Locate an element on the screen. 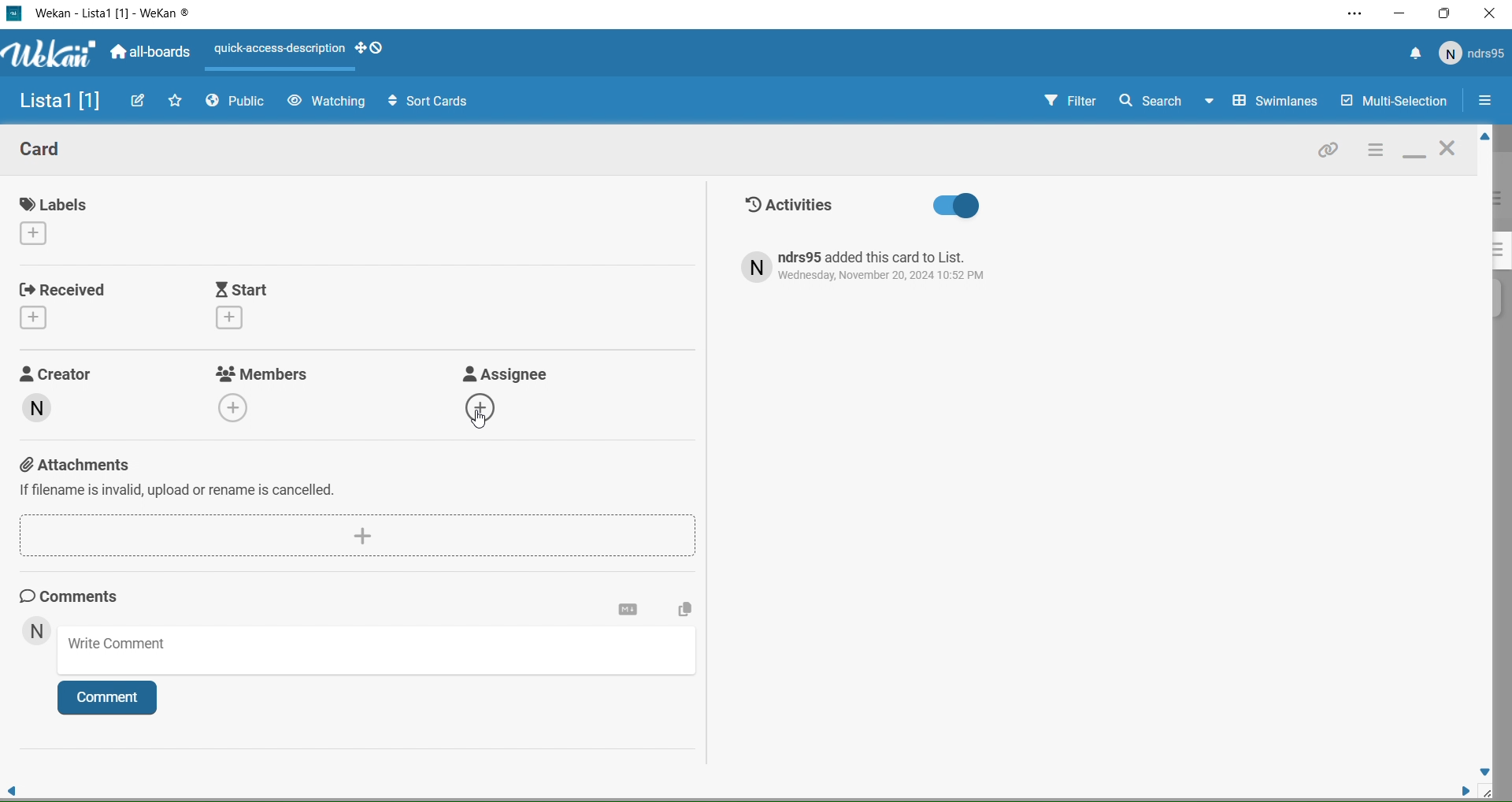 This screenshot has width=1512, height=802. Members is located at coordinates (266, 392).